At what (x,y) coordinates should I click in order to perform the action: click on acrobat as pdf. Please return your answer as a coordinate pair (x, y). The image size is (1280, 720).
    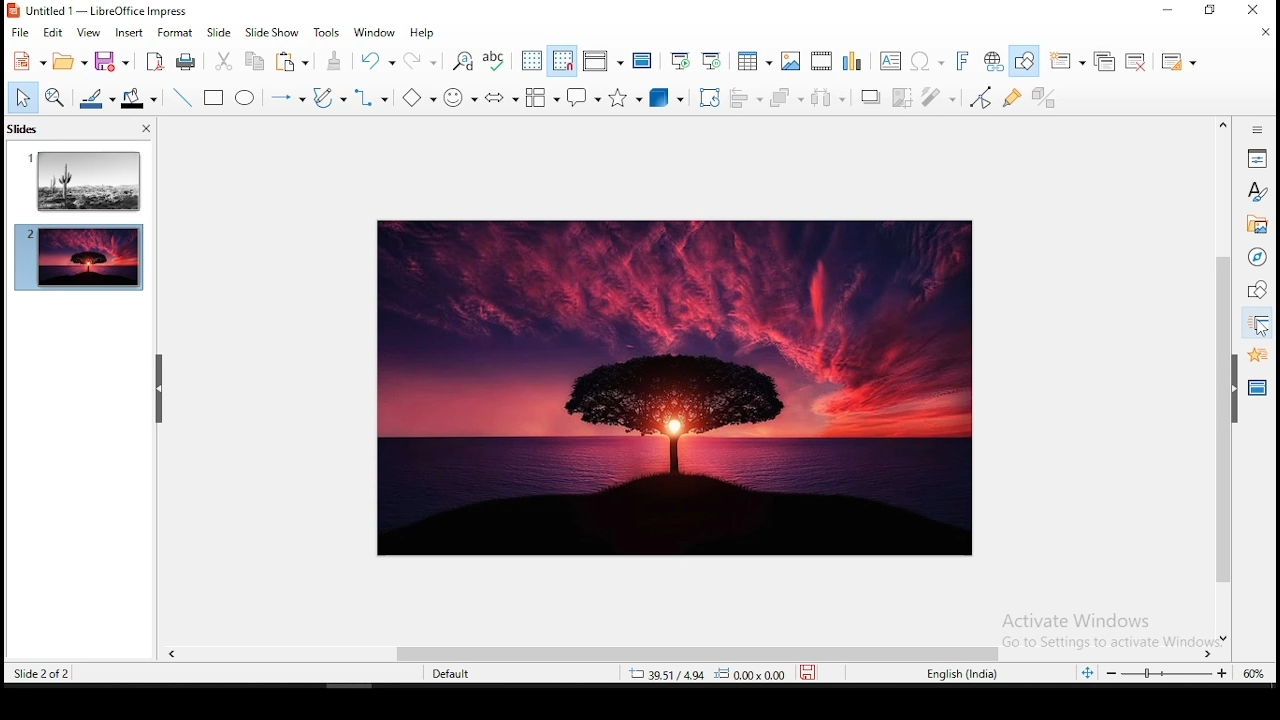
    Looking at the image, I should click on (155, 61).